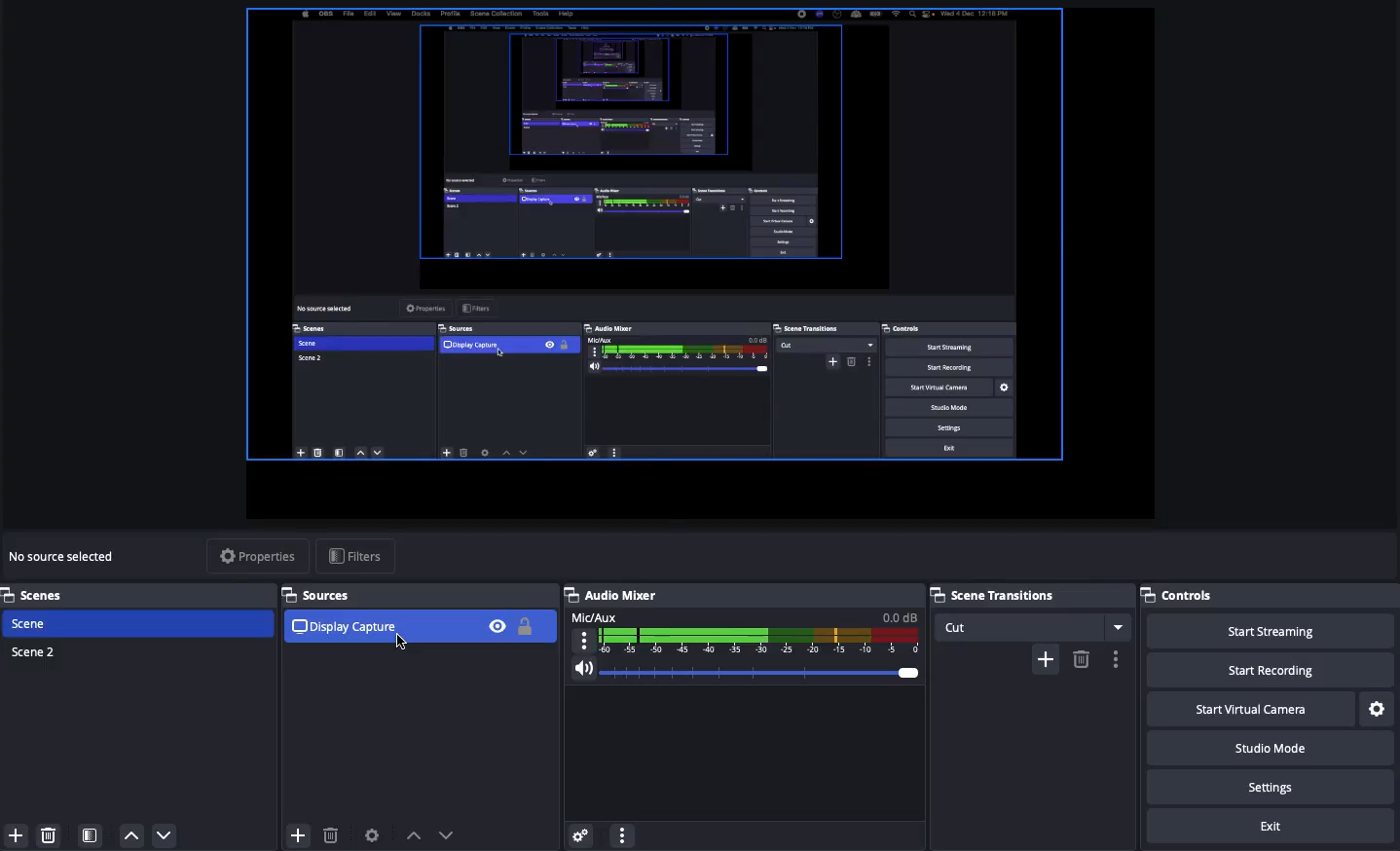 This screenshot has height=851, width=1400. Describe the element at coordinates (342, 629) in the screenshot. I see `Display capture` at that location.